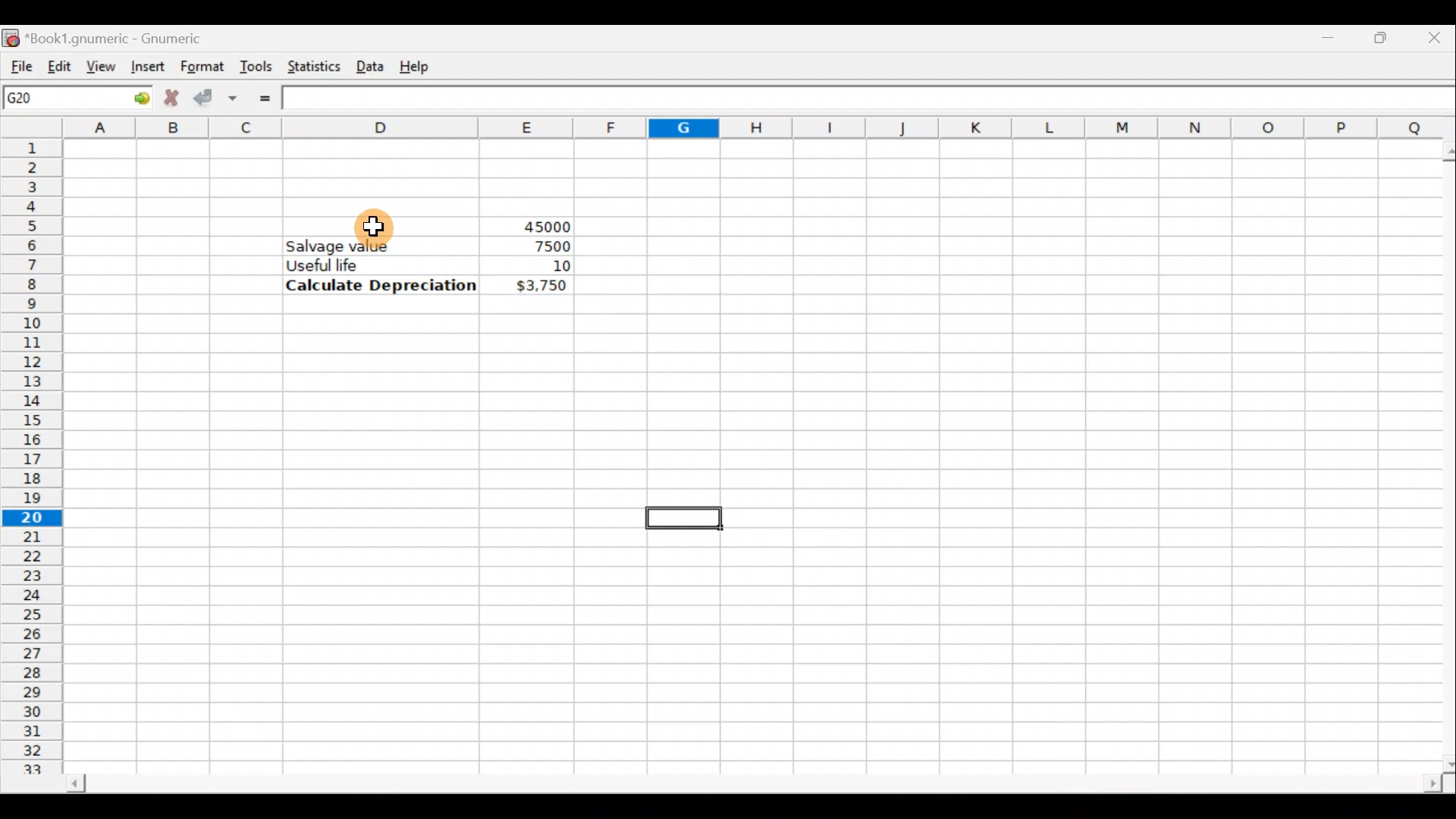  Describe the element at coordinates (1439, 454) in the screenshot. I see `Scroll bar` at that location.